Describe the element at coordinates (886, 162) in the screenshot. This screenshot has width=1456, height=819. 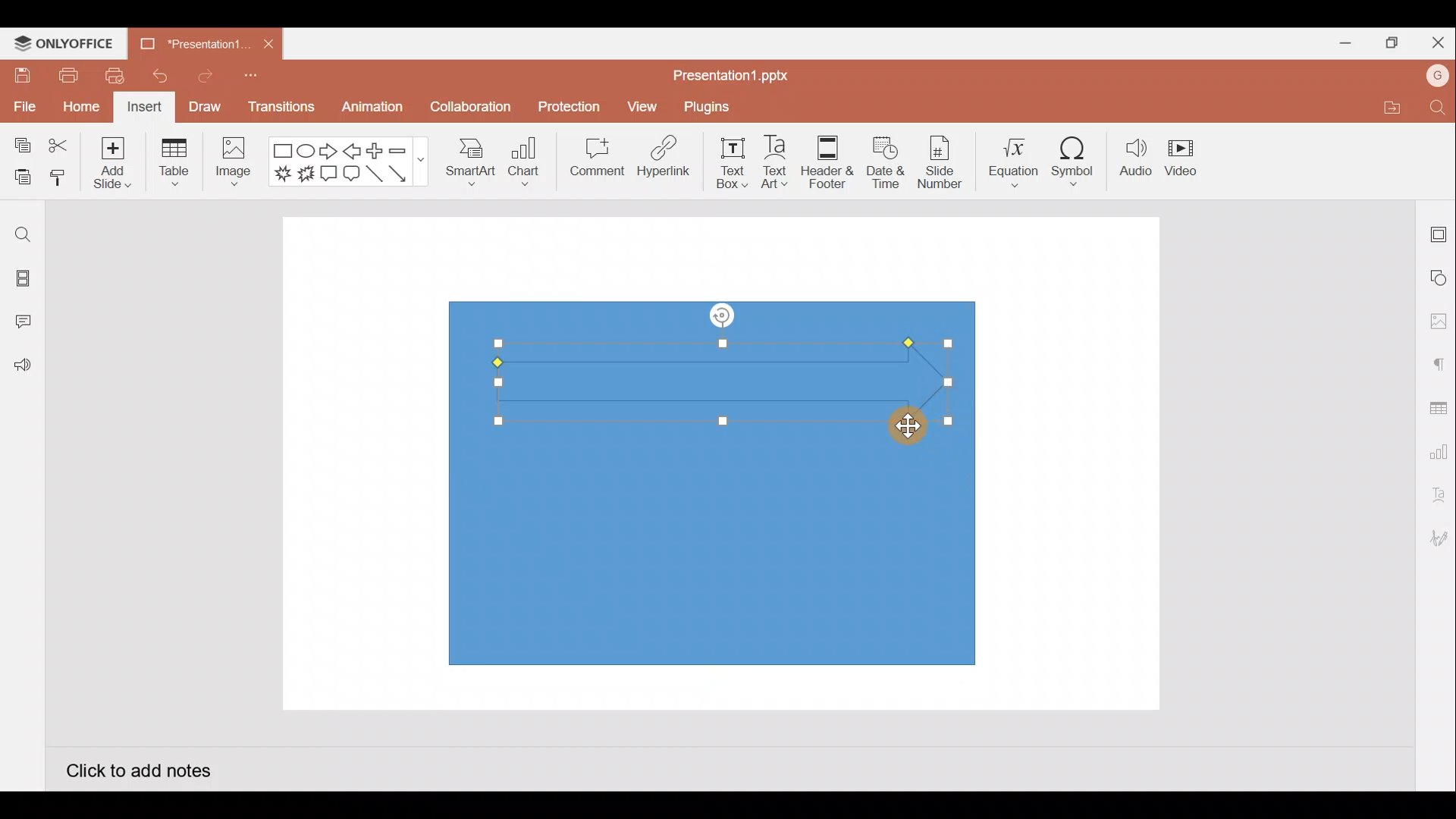
I see `Date & time` at that location.